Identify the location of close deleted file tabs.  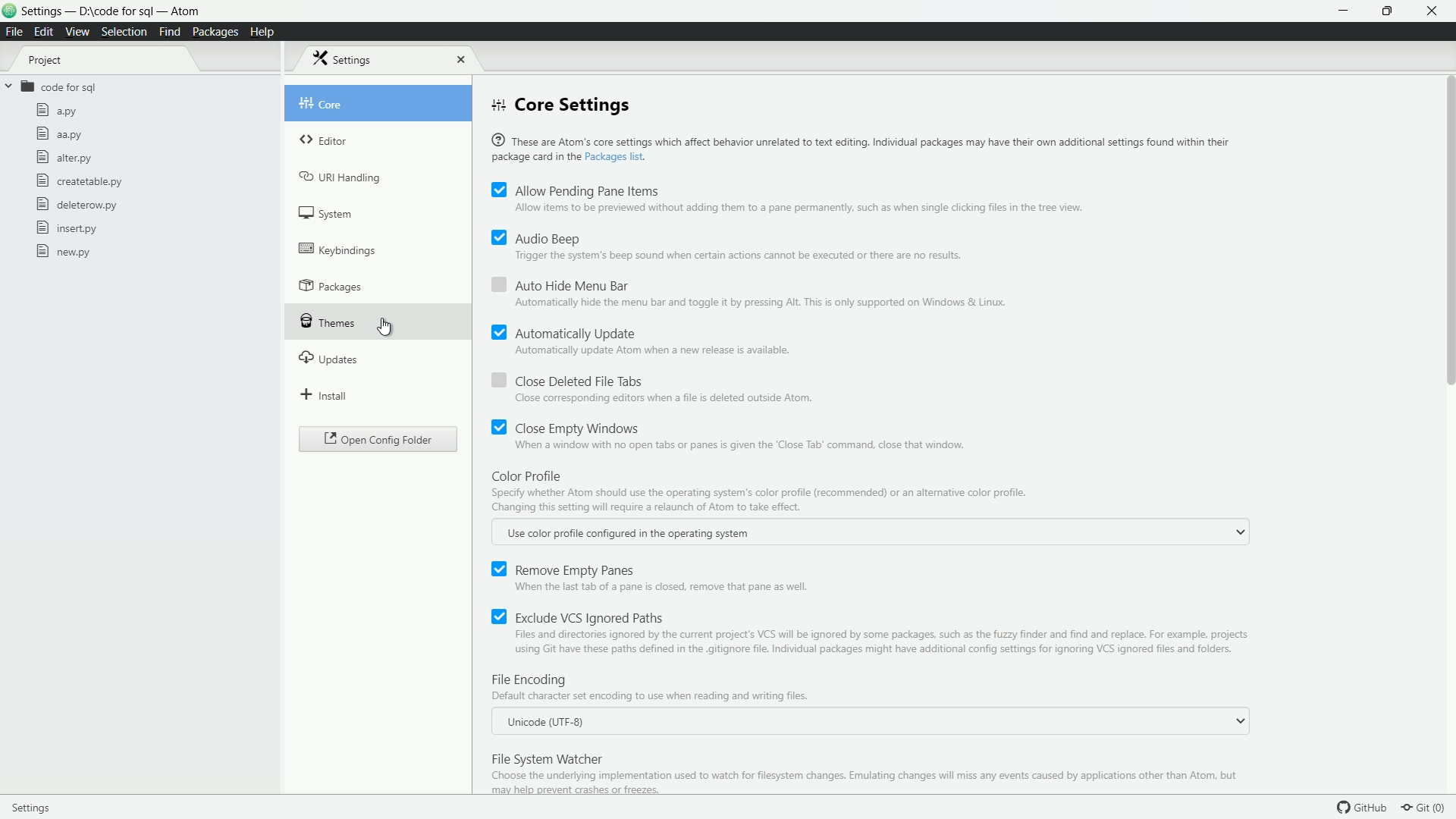
(566, 379).